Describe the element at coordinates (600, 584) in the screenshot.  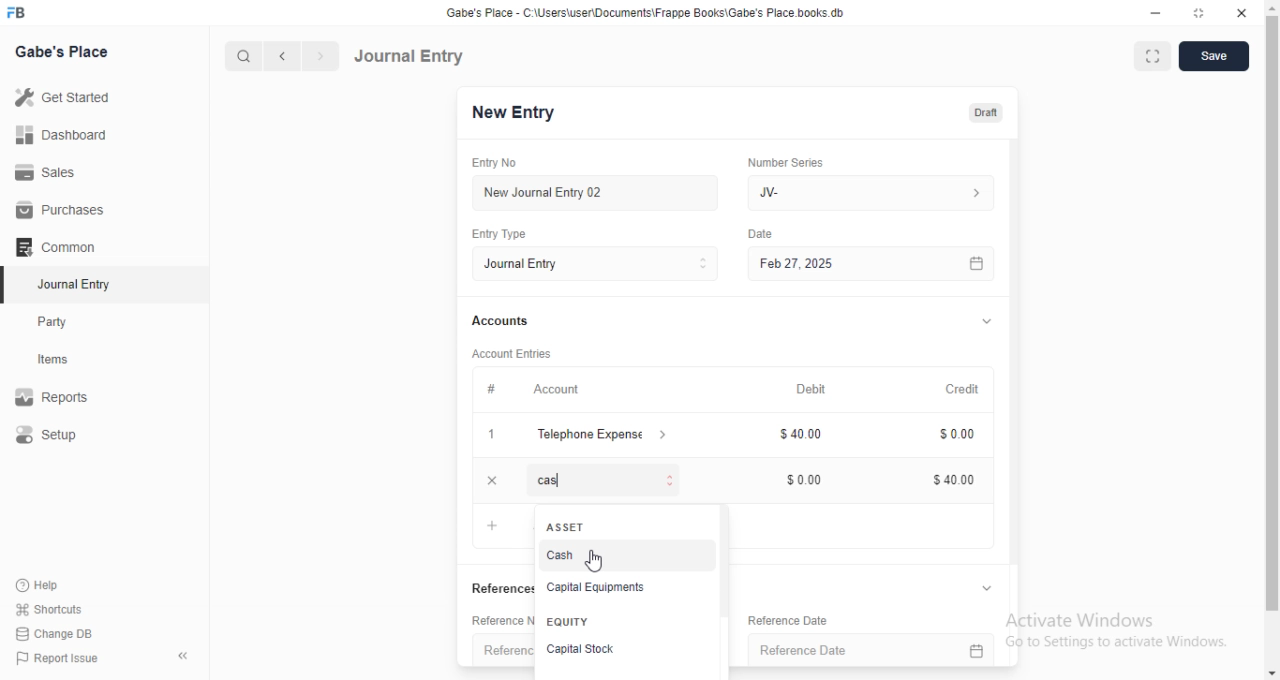
I see `Capital Equipments` at that location.